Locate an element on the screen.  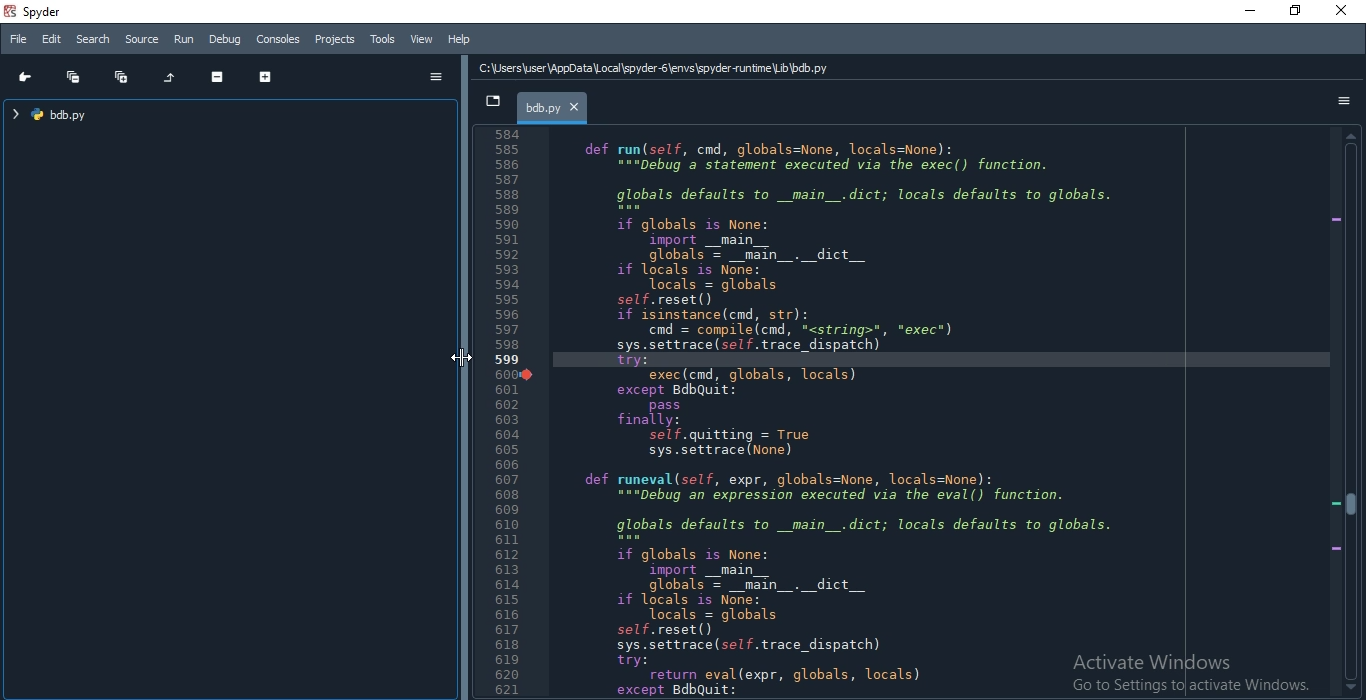
scroll bar is located at coordinates (1351, 412).